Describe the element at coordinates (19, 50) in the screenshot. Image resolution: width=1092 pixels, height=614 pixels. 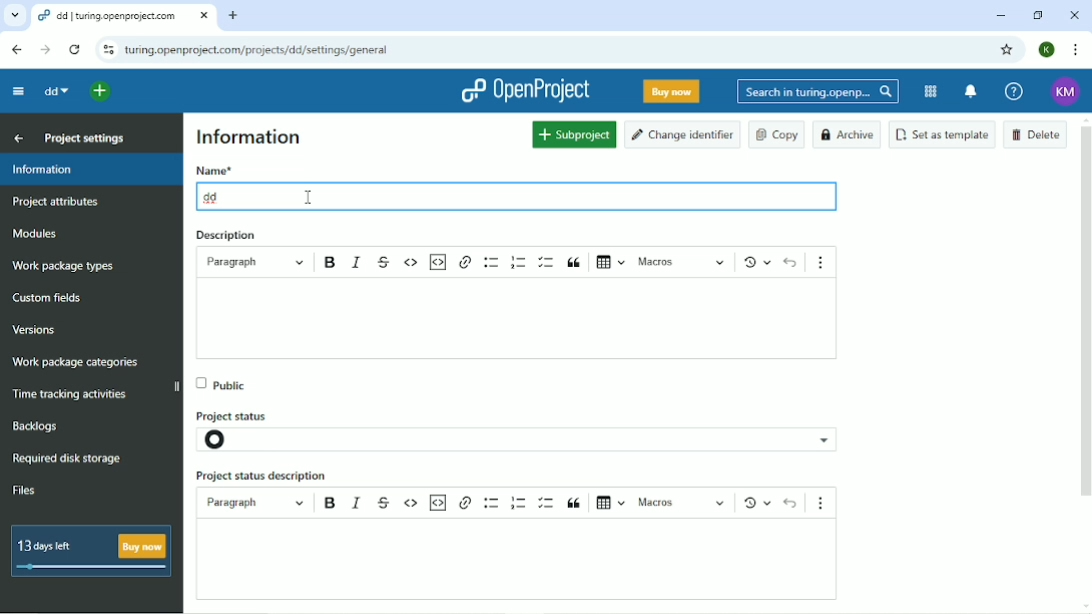
I see `Back` at that location.